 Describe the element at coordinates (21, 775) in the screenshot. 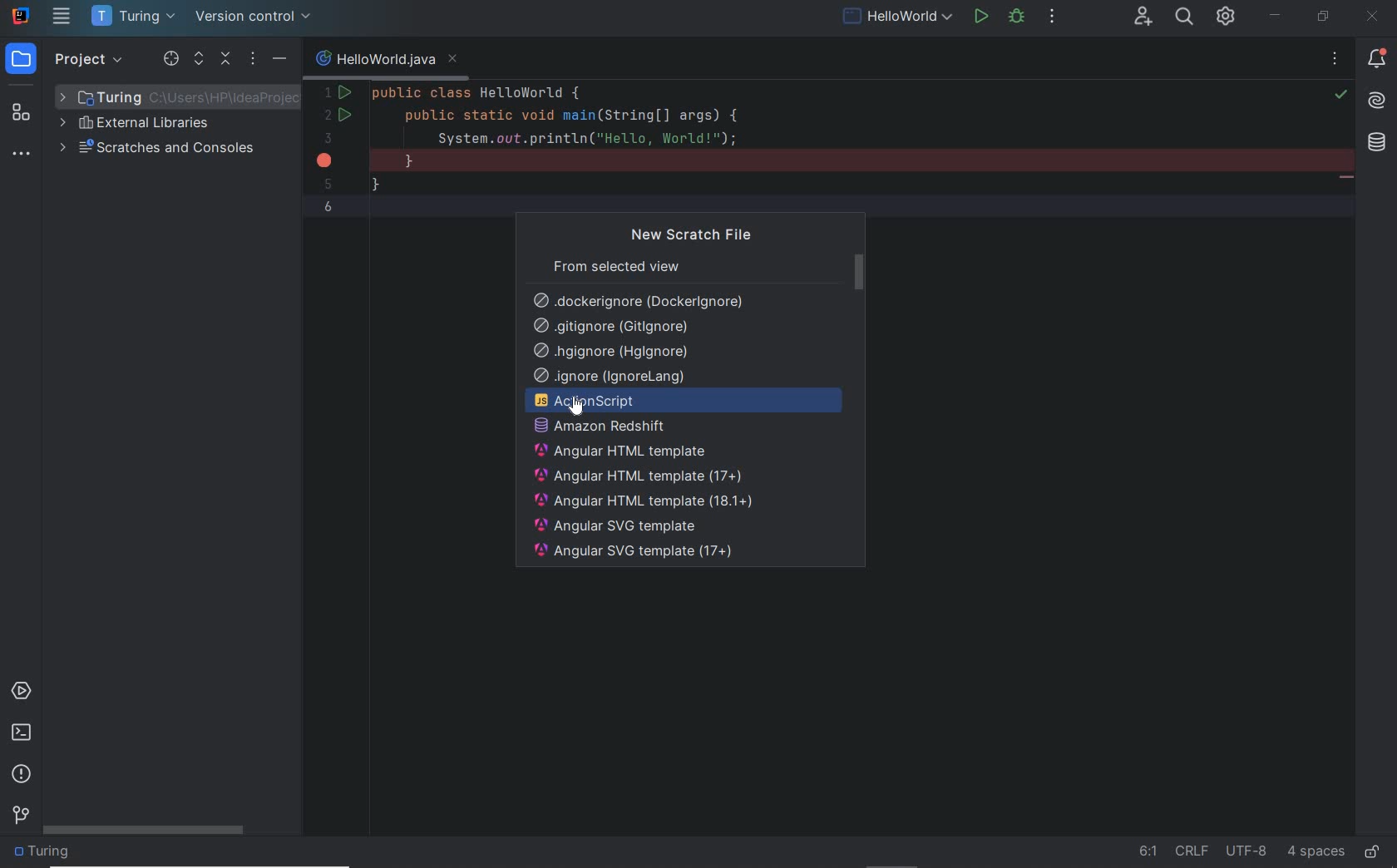

I see `problems` at that location.